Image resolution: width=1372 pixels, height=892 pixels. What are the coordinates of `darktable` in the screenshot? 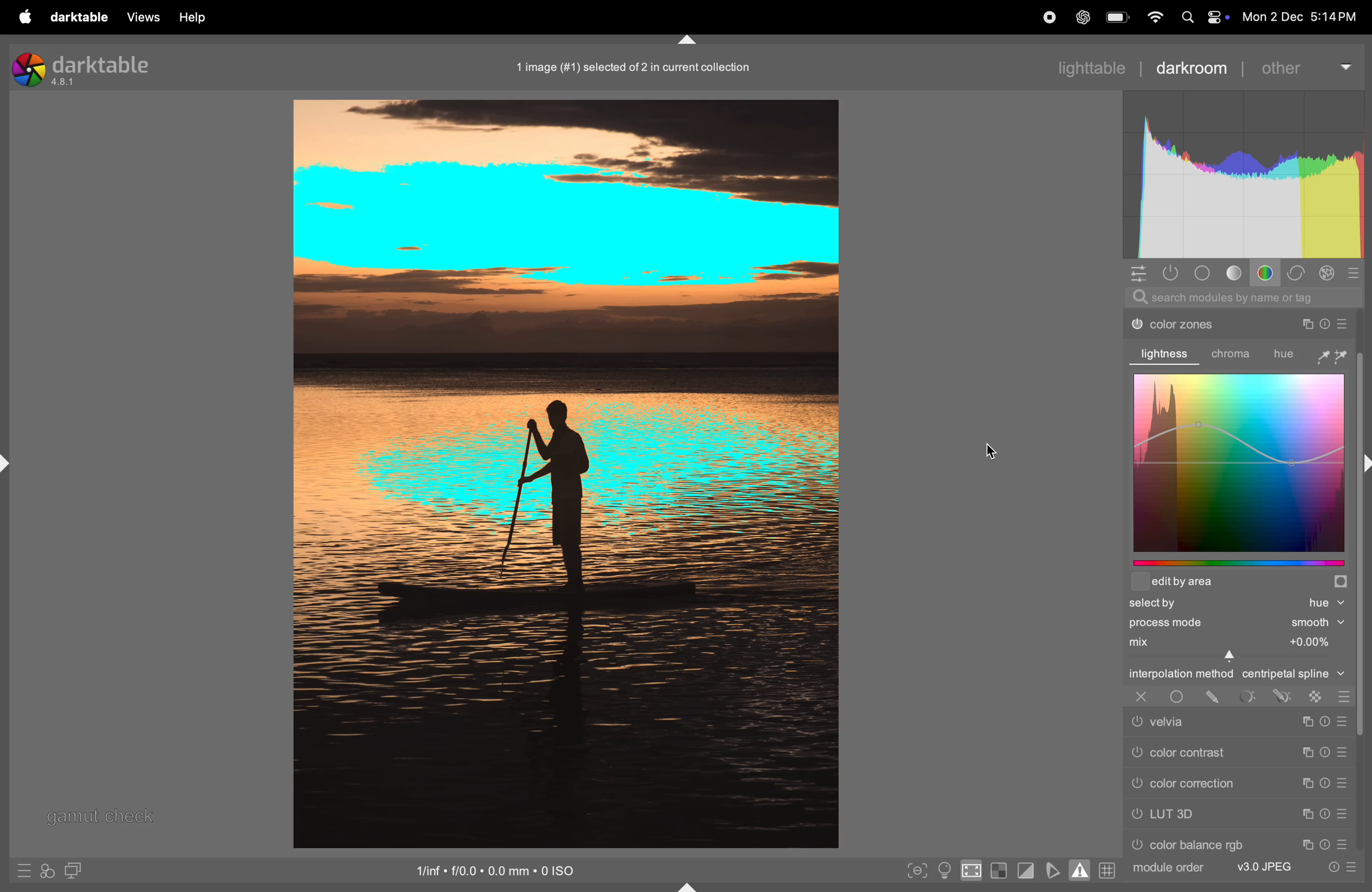 It's located at (88, 71).